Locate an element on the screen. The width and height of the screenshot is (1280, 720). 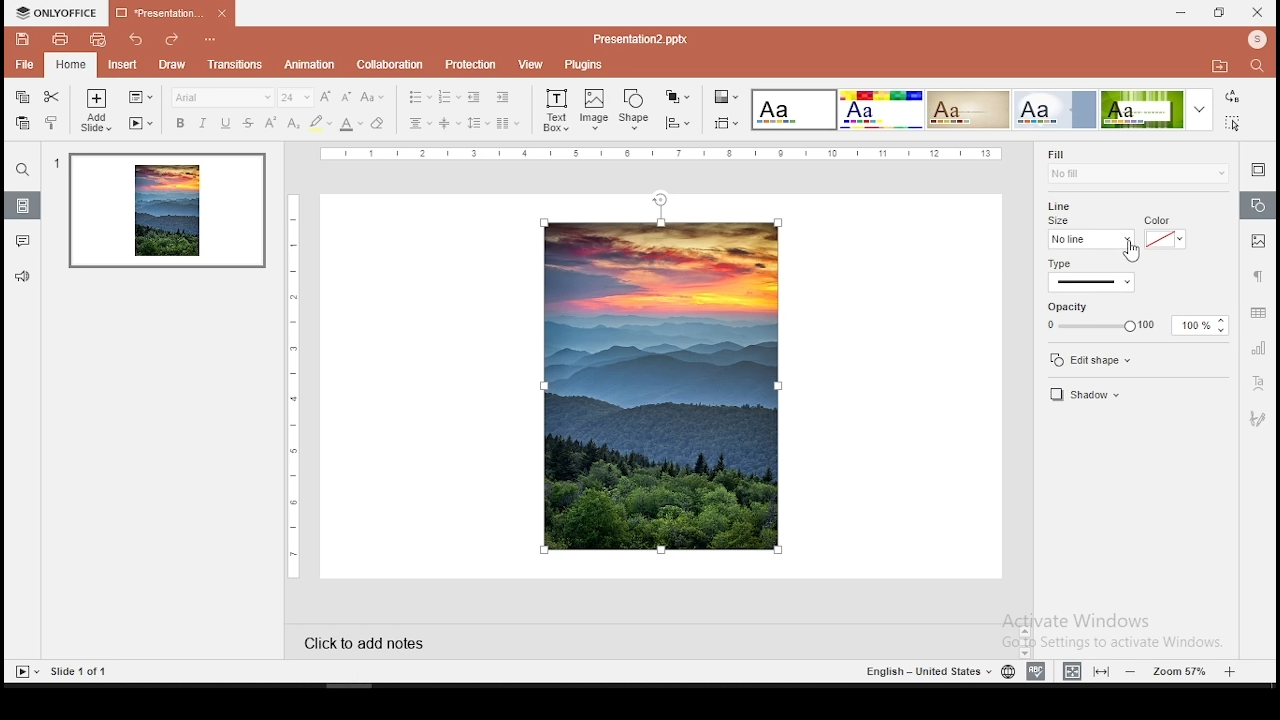
decrease font size is located at coordinates (346, 97).